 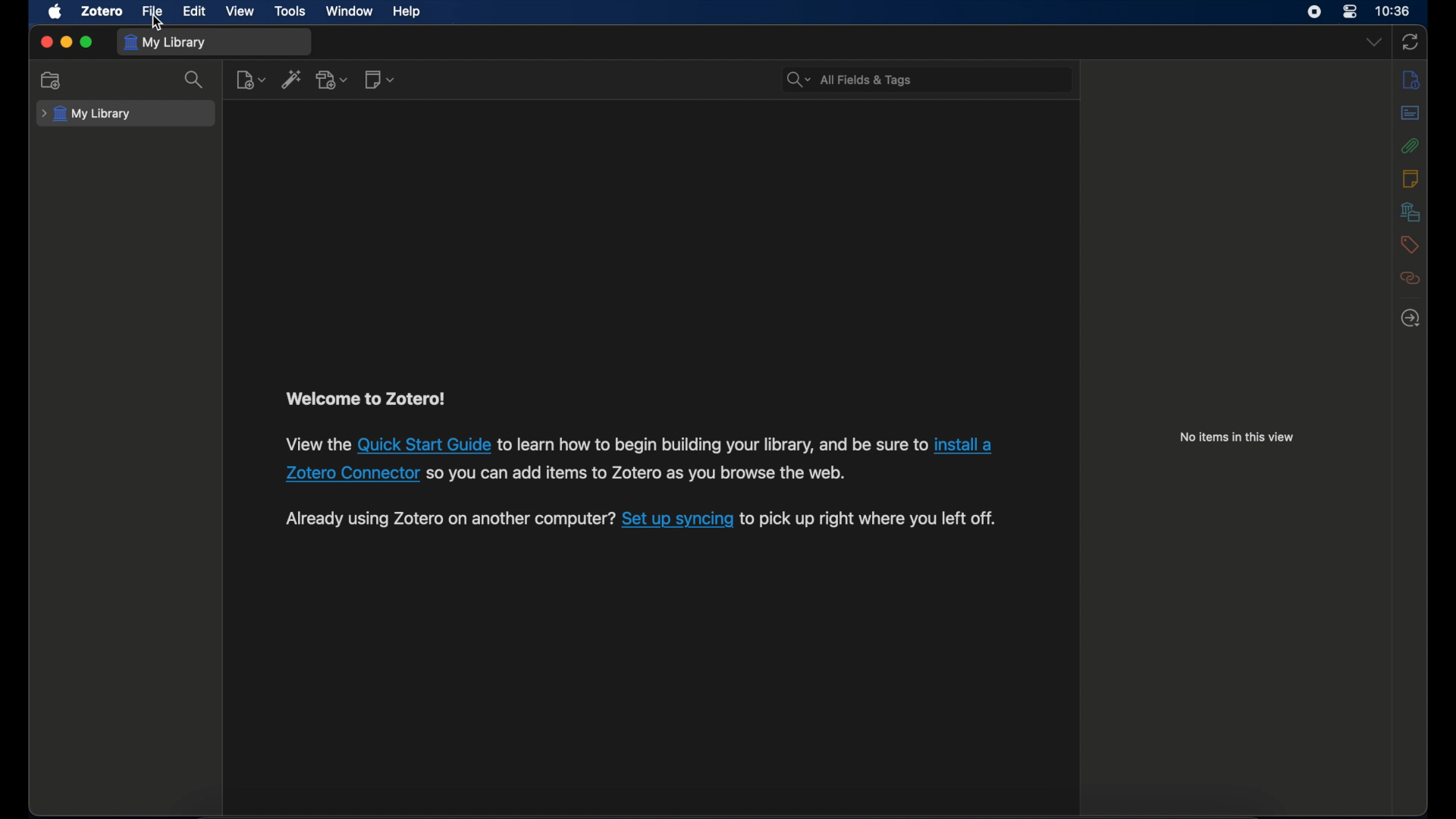 What do you see at coordinates (54, 11) in the screenshot?
I see `apple` at bounding box center [54, 11].